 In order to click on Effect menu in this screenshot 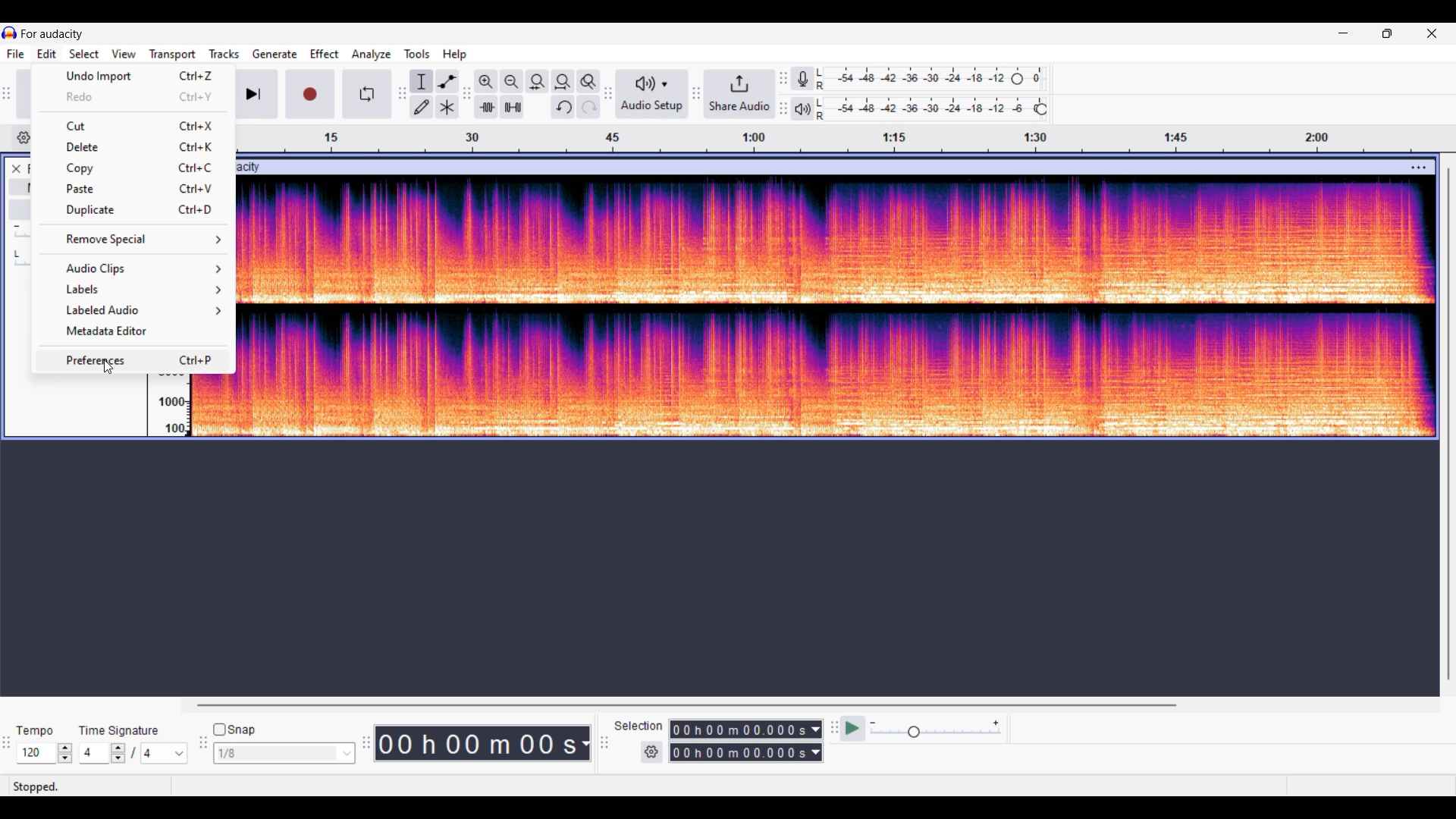, I will do `click(325, 54)`.